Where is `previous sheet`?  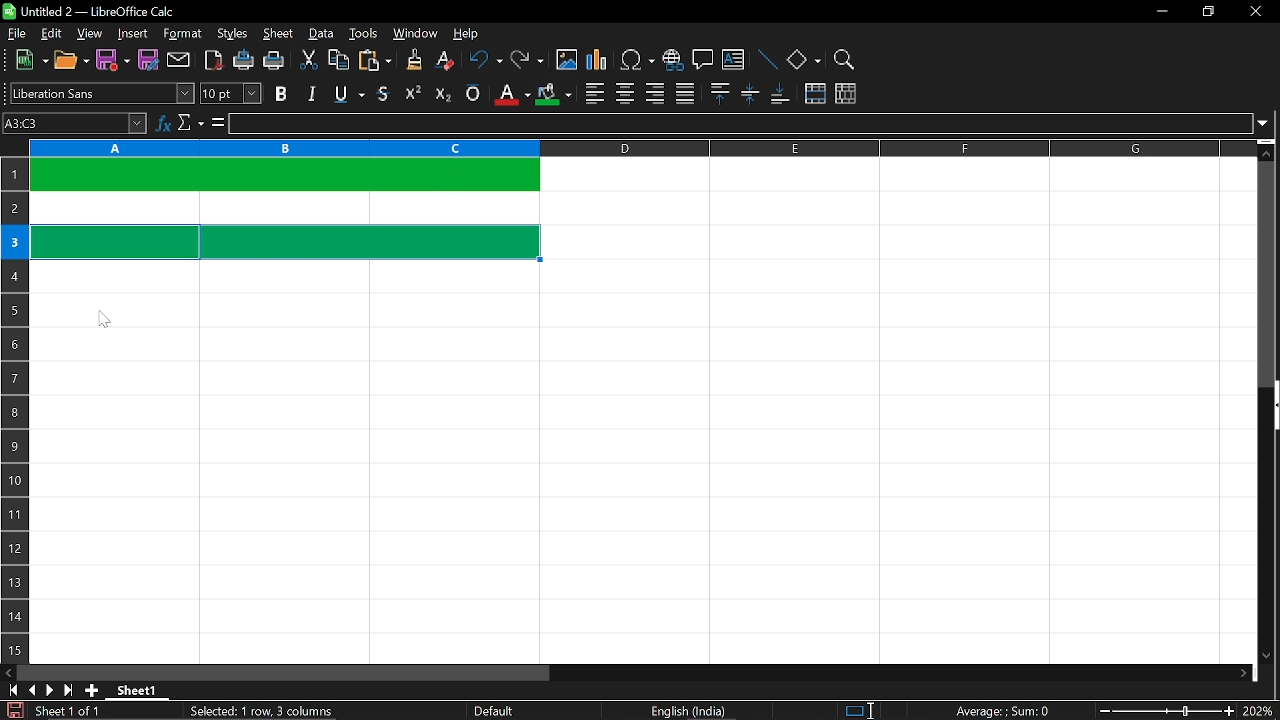 previous sheet is located at coordinates (30, 690).